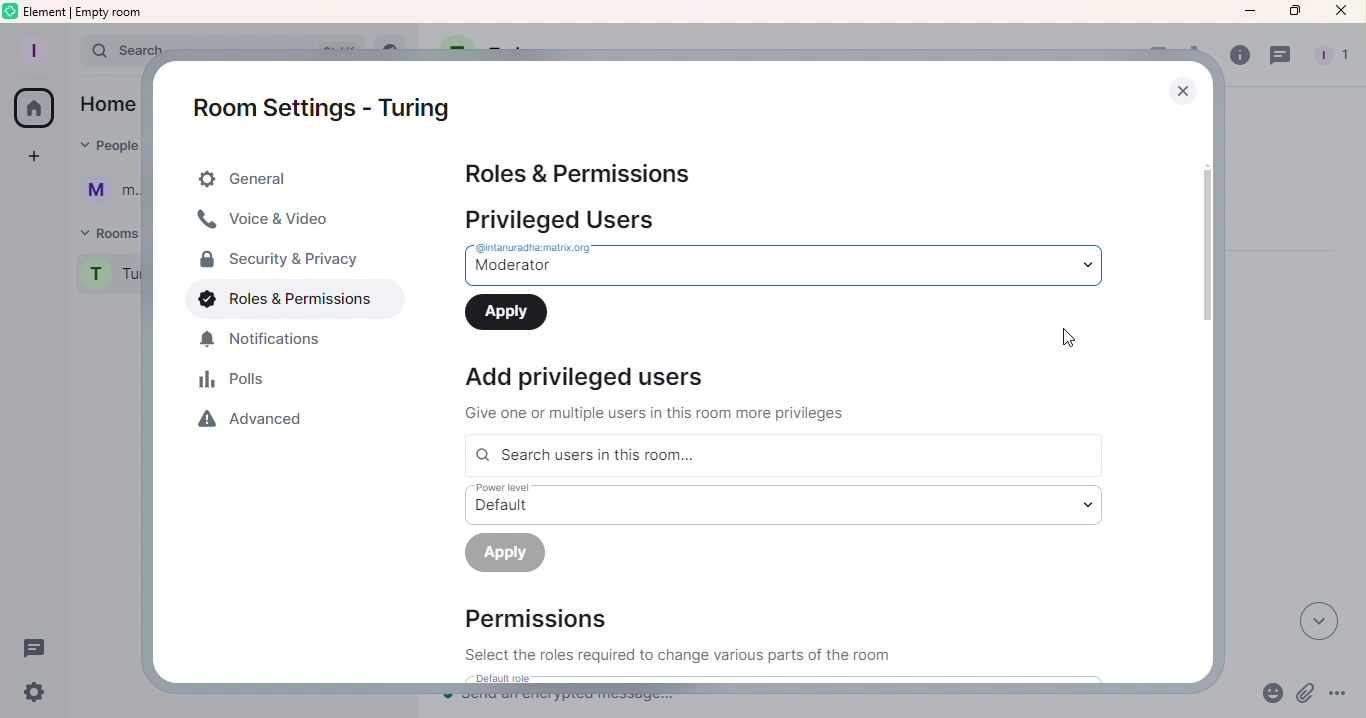 This screenshot has width=1366, height=718. I want to click on Search users in this room, so click(786, 456).